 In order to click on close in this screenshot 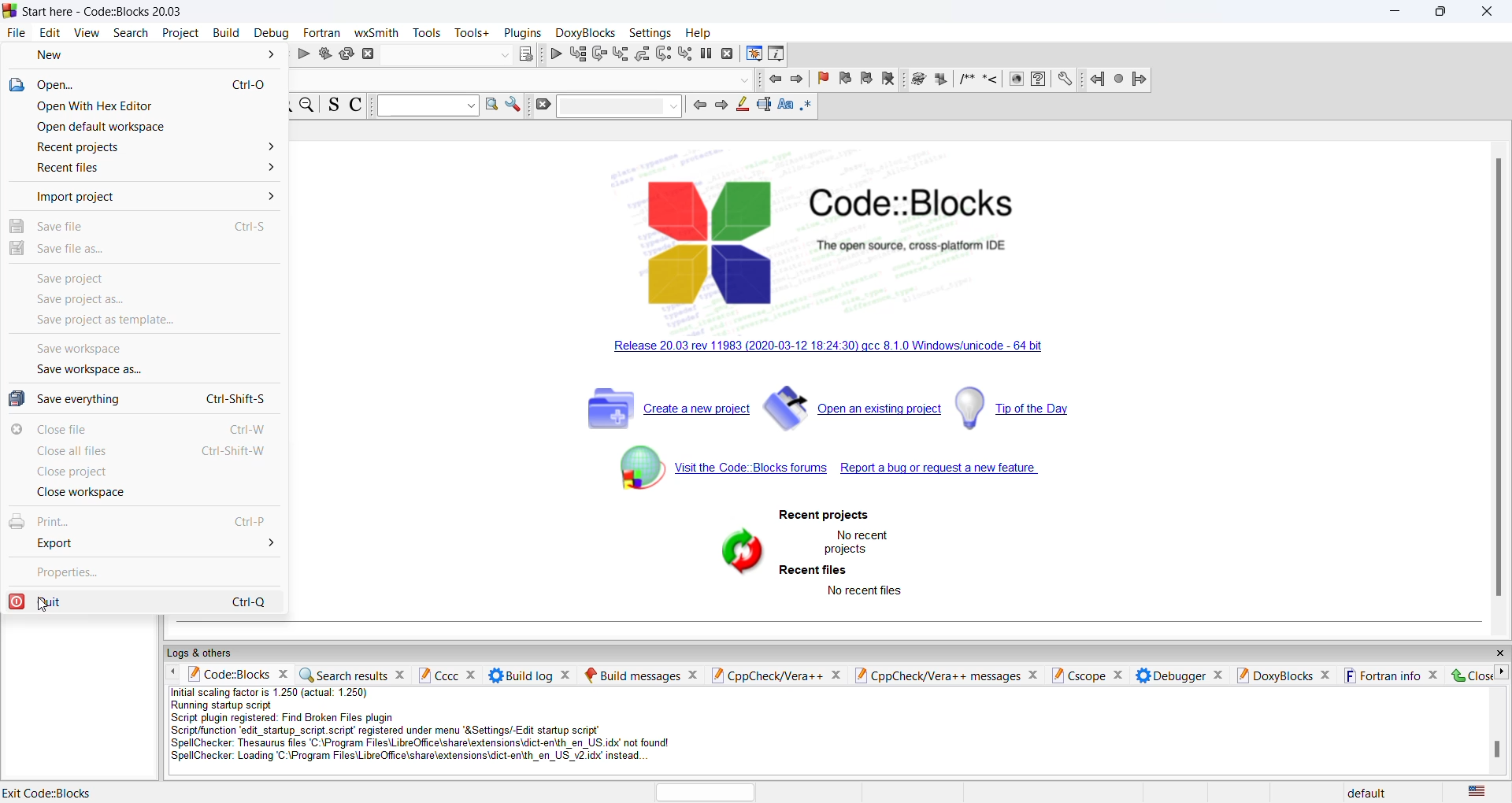, I will do `click(1434, 675)`.